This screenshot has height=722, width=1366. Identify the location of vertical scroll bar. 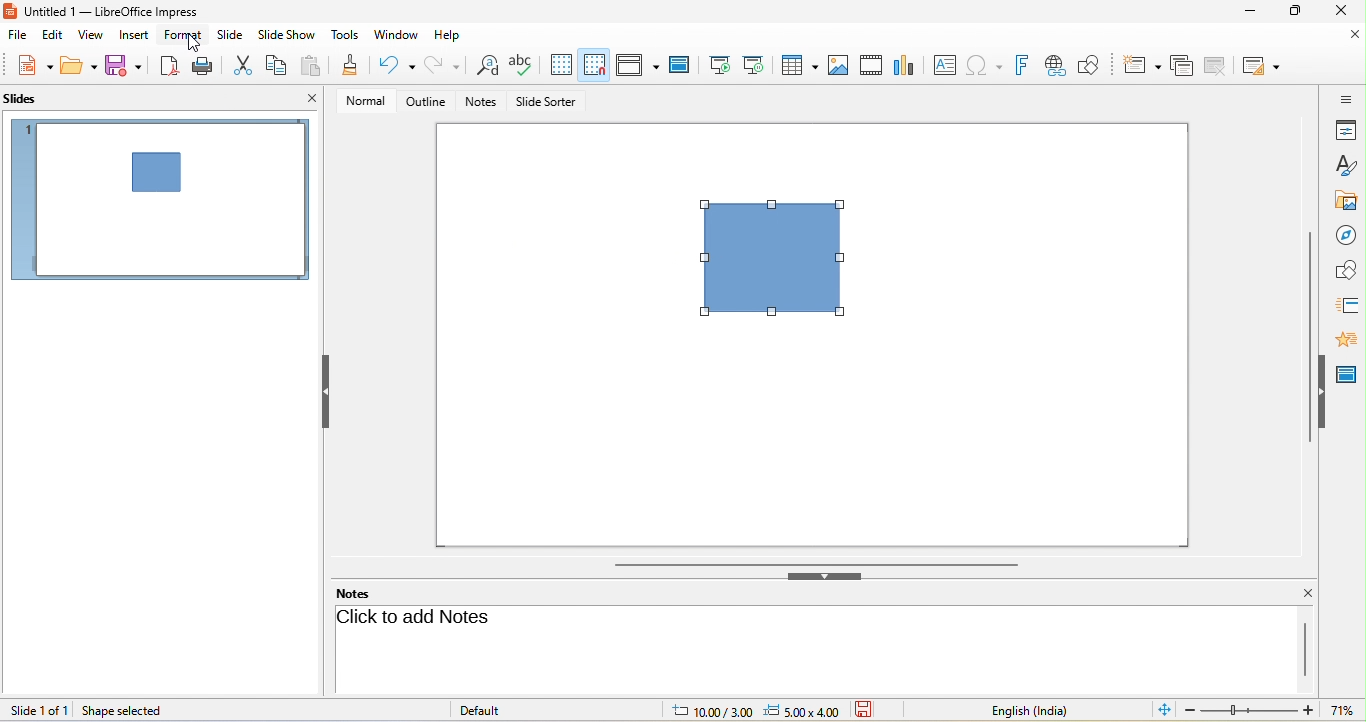
(1308, 338).